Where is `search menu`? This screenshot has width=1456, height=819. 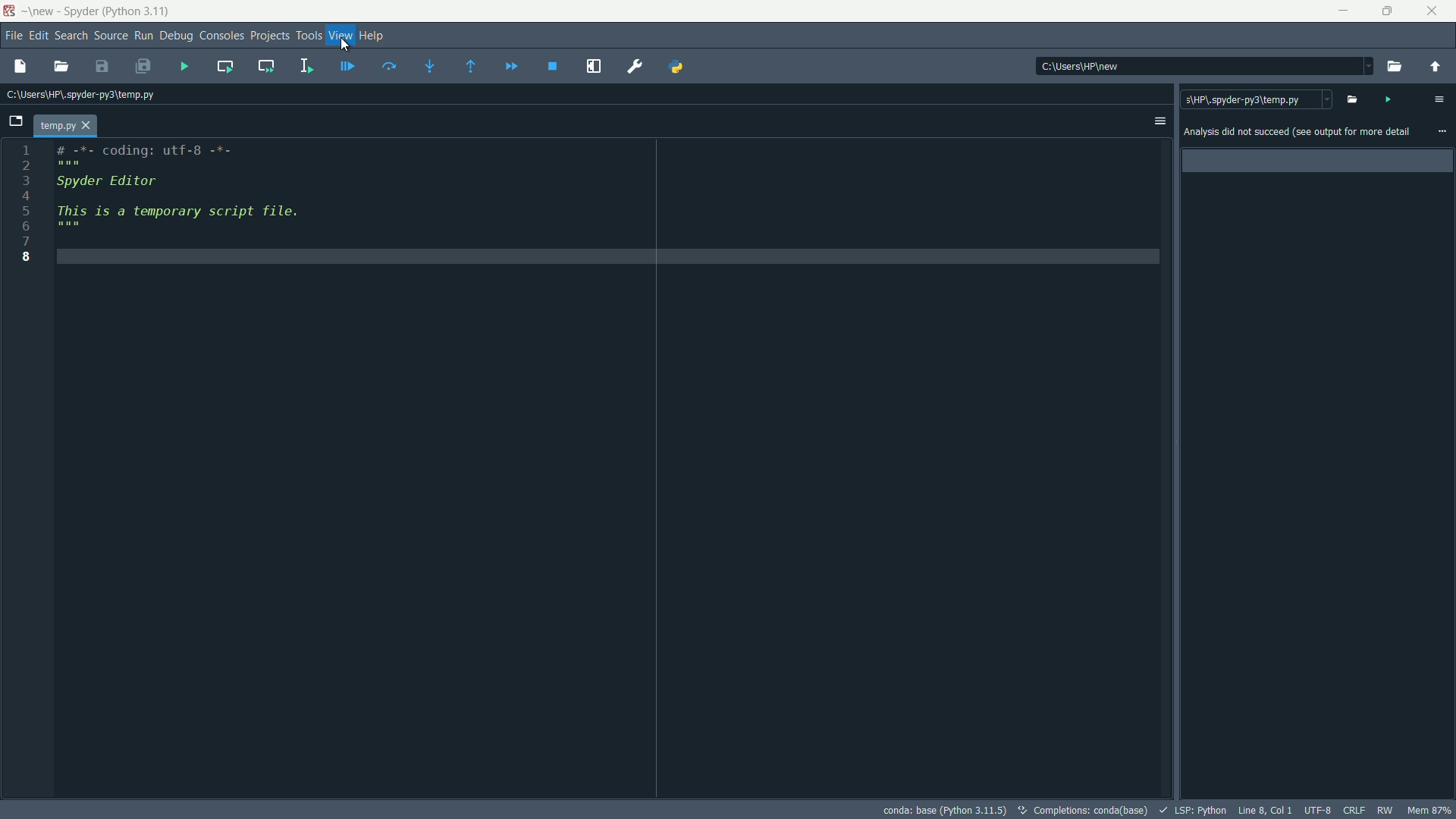
search menu is located at coordinates (69, 36).